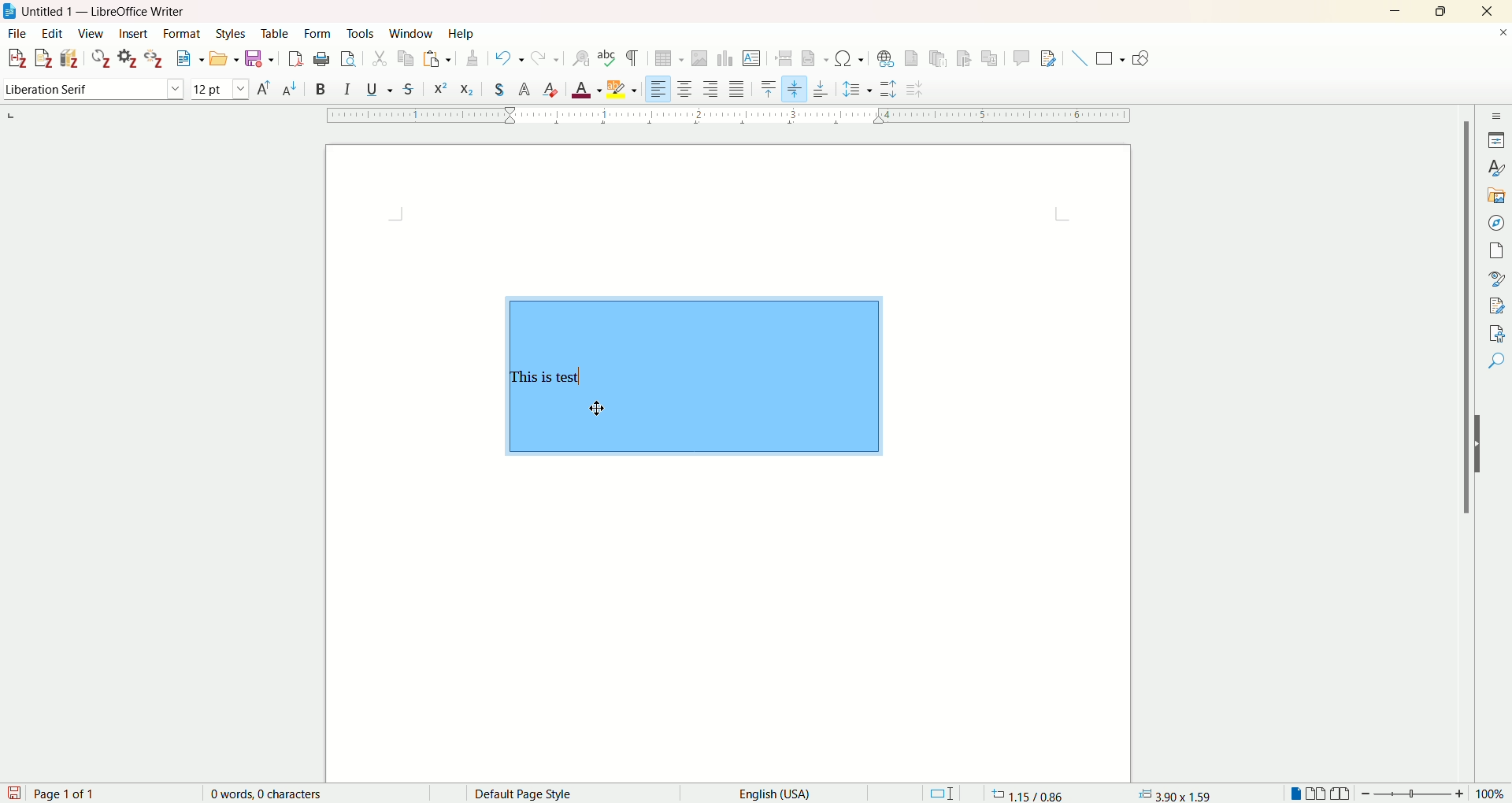 Image resolution: width=1512 pixels, height=803 pixels. What do you see at coordinates (609, 58) in the screenshot?
I see `check spelling` at bounding box center [609, 58].